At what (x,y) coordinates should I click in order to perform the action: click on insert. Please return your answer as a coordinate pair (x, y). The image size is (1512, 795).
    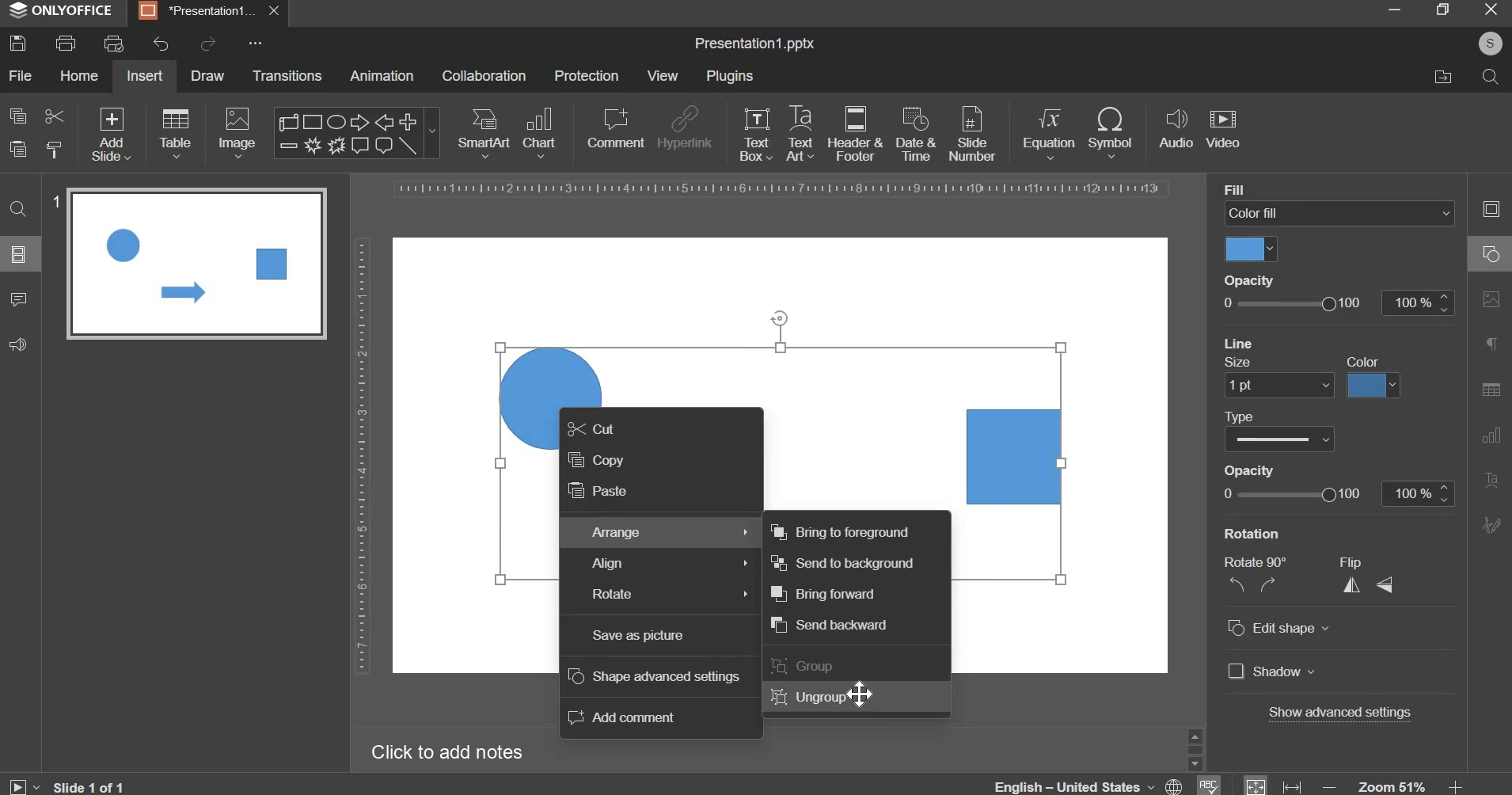
    Looking at the image, I should click on (145, 75).